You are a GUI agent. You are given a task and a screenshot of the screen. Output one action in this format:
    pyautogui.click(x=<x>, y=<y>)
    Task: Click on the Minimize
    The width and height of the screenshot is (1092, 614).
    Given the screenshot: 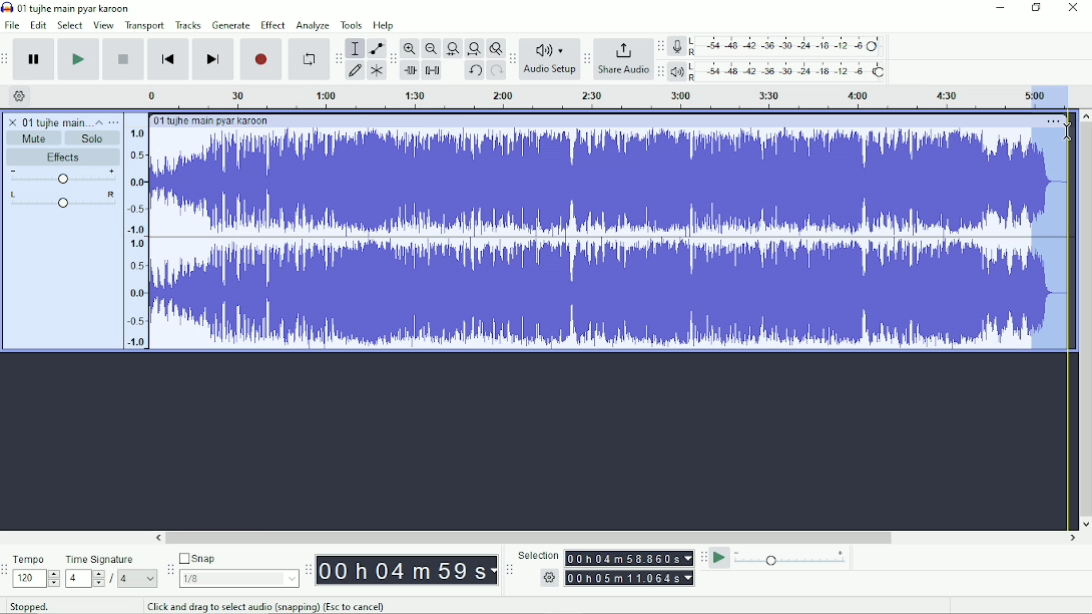 What is the action you would take?
    pyautogui.click(x=1001, y=7)
    